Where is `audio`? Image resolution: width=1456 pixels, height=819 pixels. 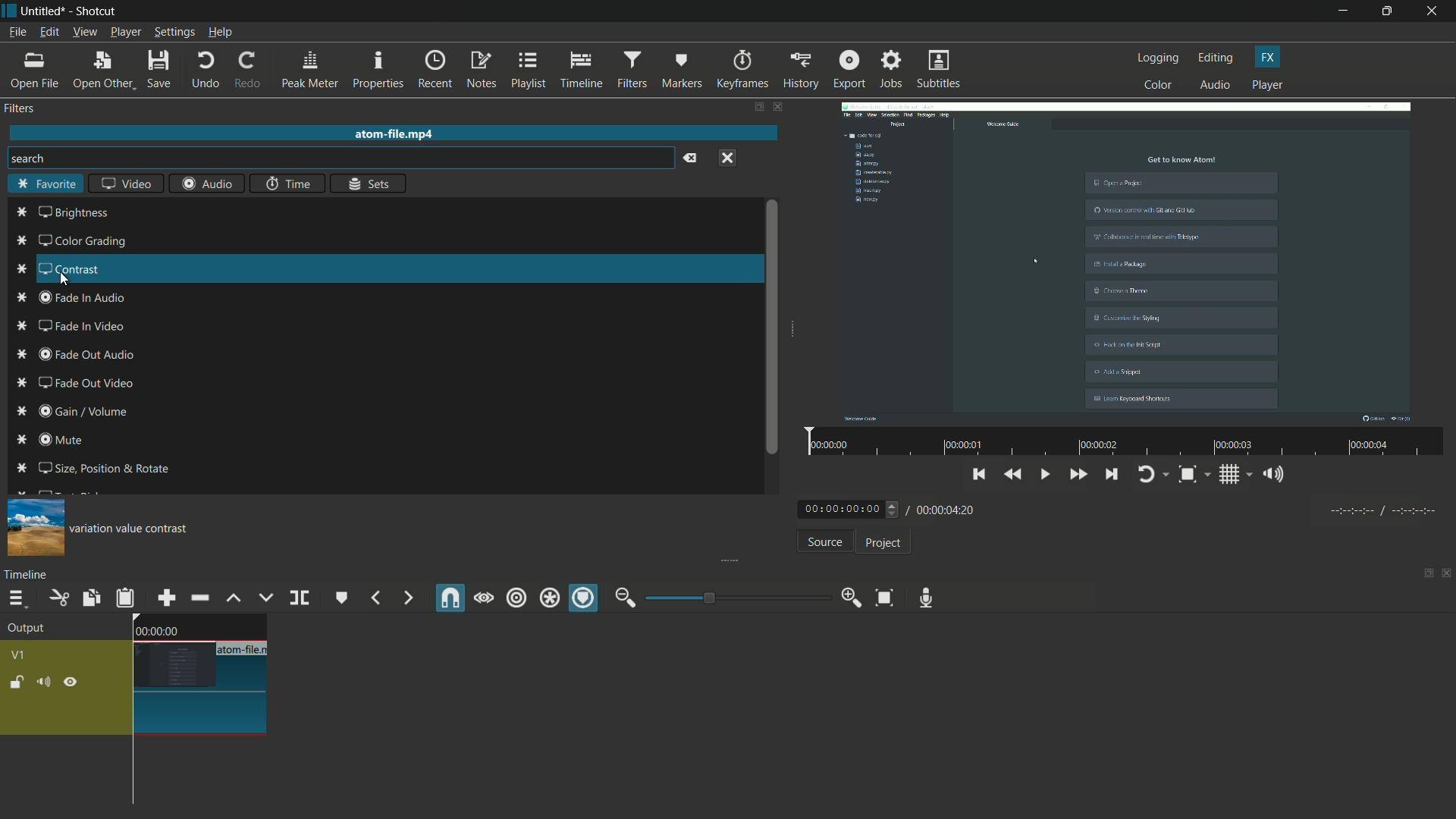 audio is located at coordinates (207, 184).